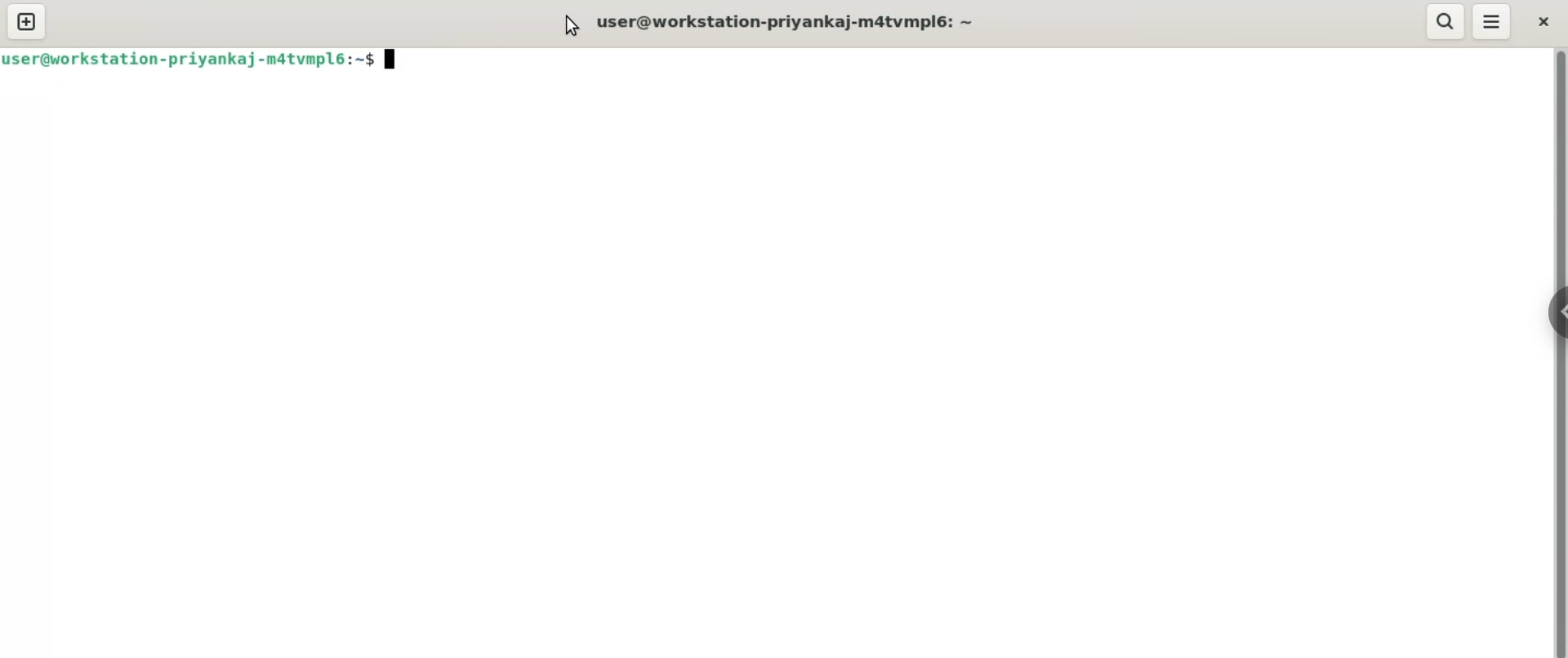 The width and height of the screenshot is (1568, 658). Describe the element at coordinates (571, 25) in the screenshot. I see `cursor` at that location.